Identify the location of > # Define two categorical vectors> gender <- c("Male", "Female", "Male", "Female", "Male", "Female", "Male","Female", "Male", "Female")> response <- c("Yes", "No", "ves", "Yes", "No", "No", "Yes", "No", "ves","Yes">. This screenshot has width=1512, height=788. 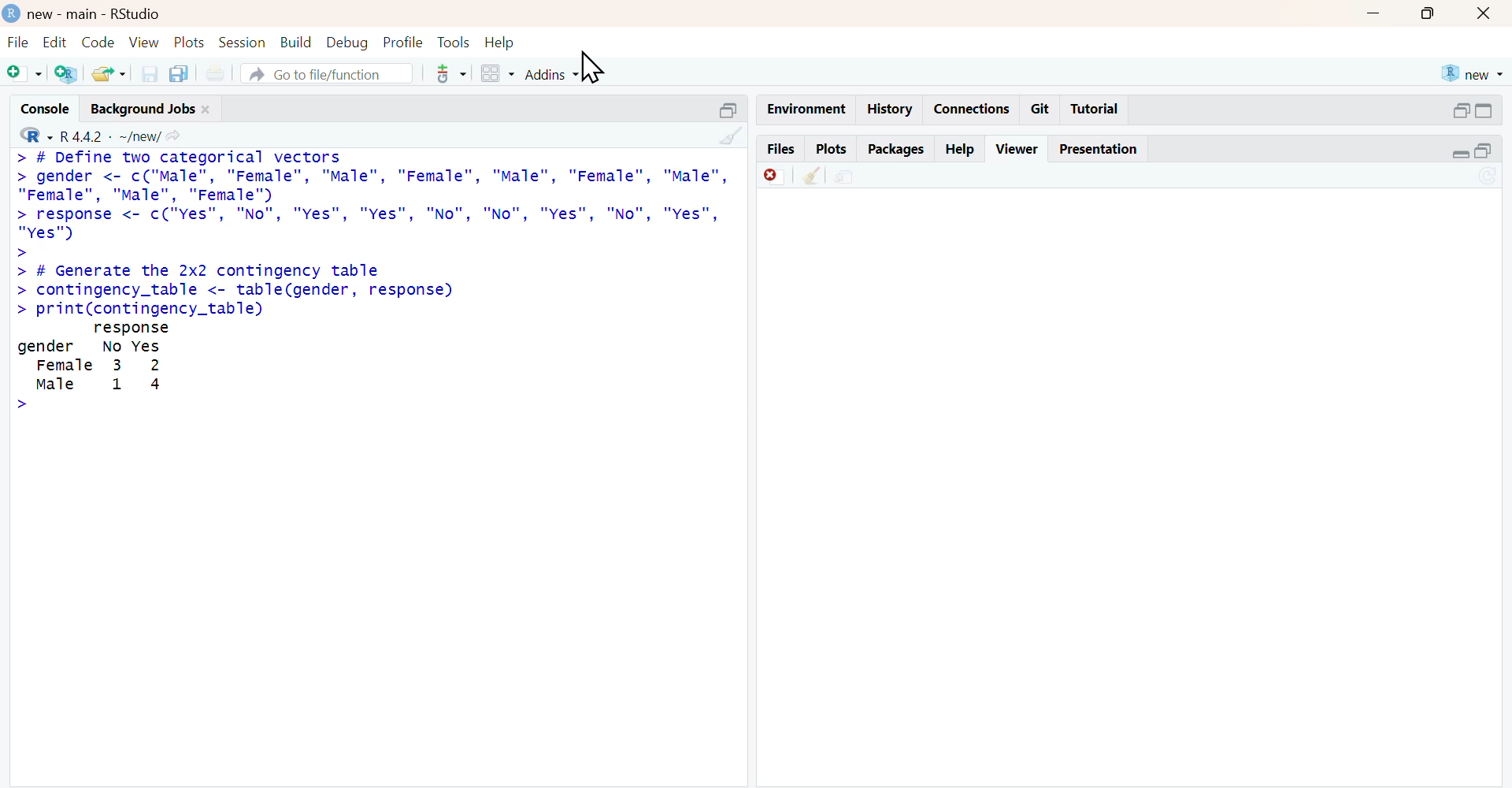
(371, 206).